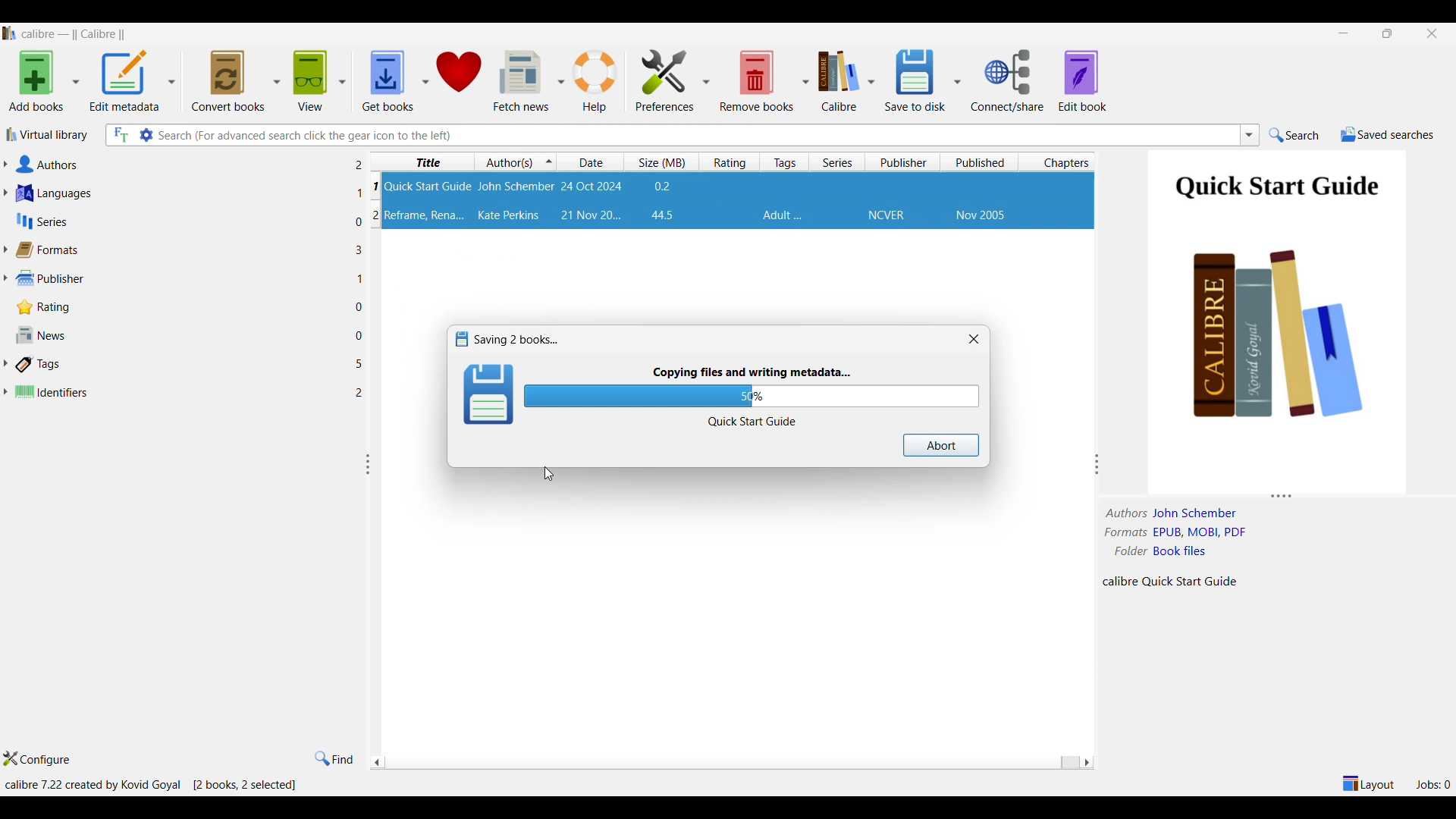 The width and height of the screenshot is (1456, 819). I want to click on Publisher column, so click(905, 162).